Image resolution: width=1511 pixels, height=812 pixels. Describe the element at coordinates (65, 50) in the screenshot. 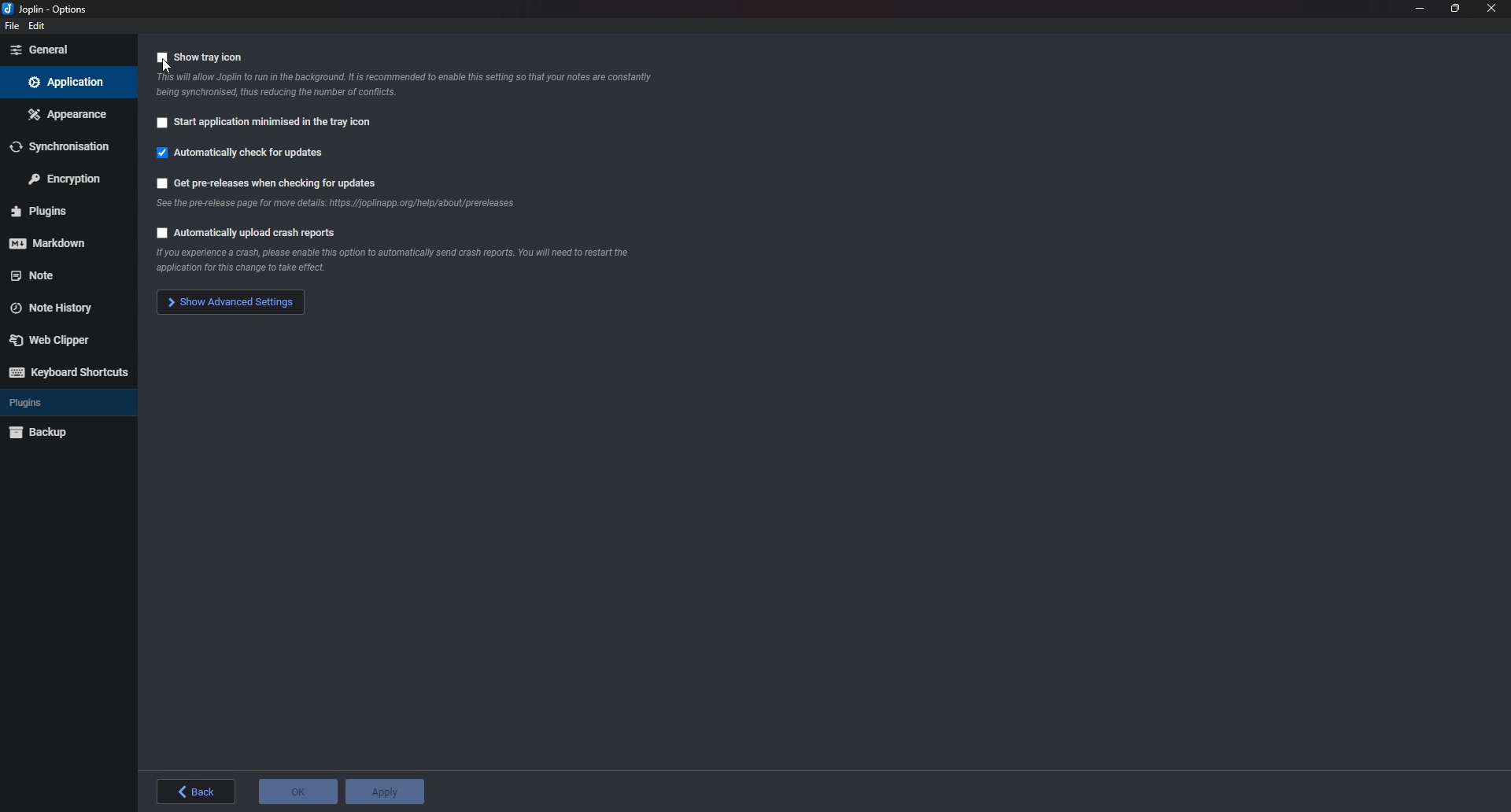

I see `General` at that location.